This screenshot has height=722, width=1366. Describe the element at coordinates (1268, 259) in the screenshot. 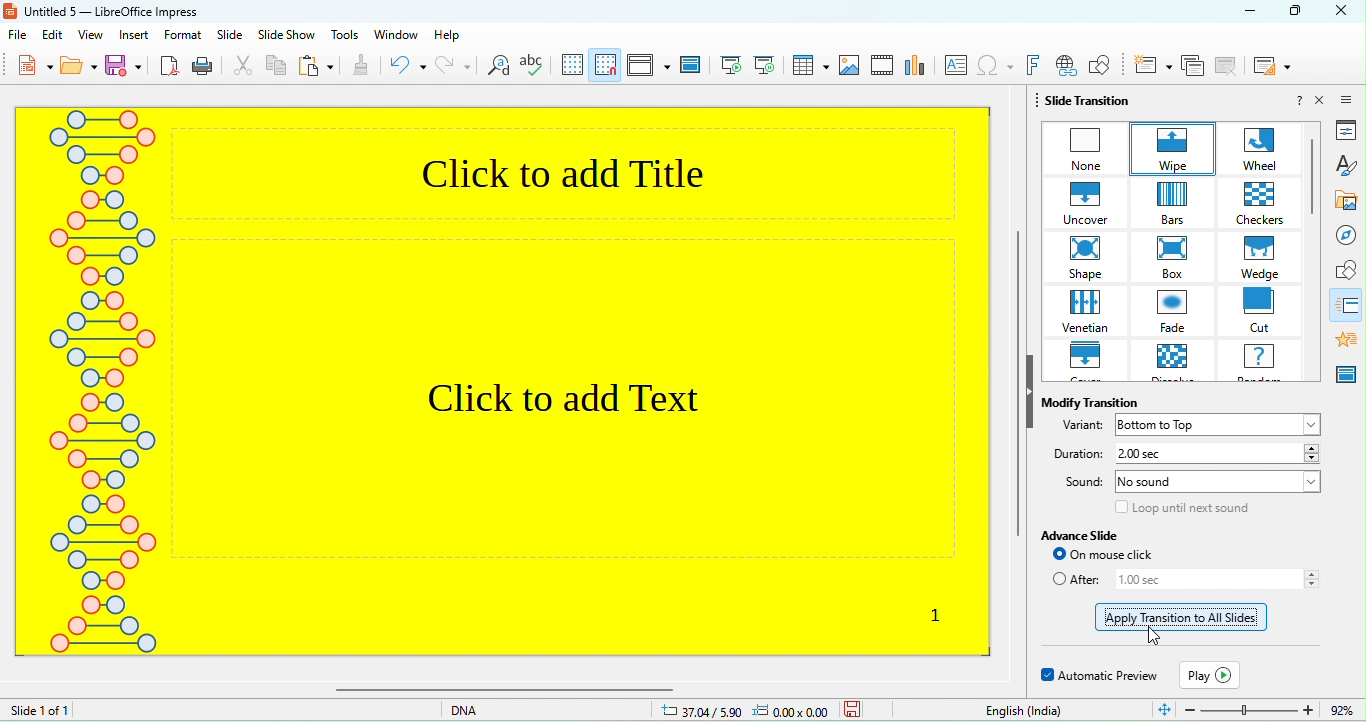

I see `wedge` at that location.